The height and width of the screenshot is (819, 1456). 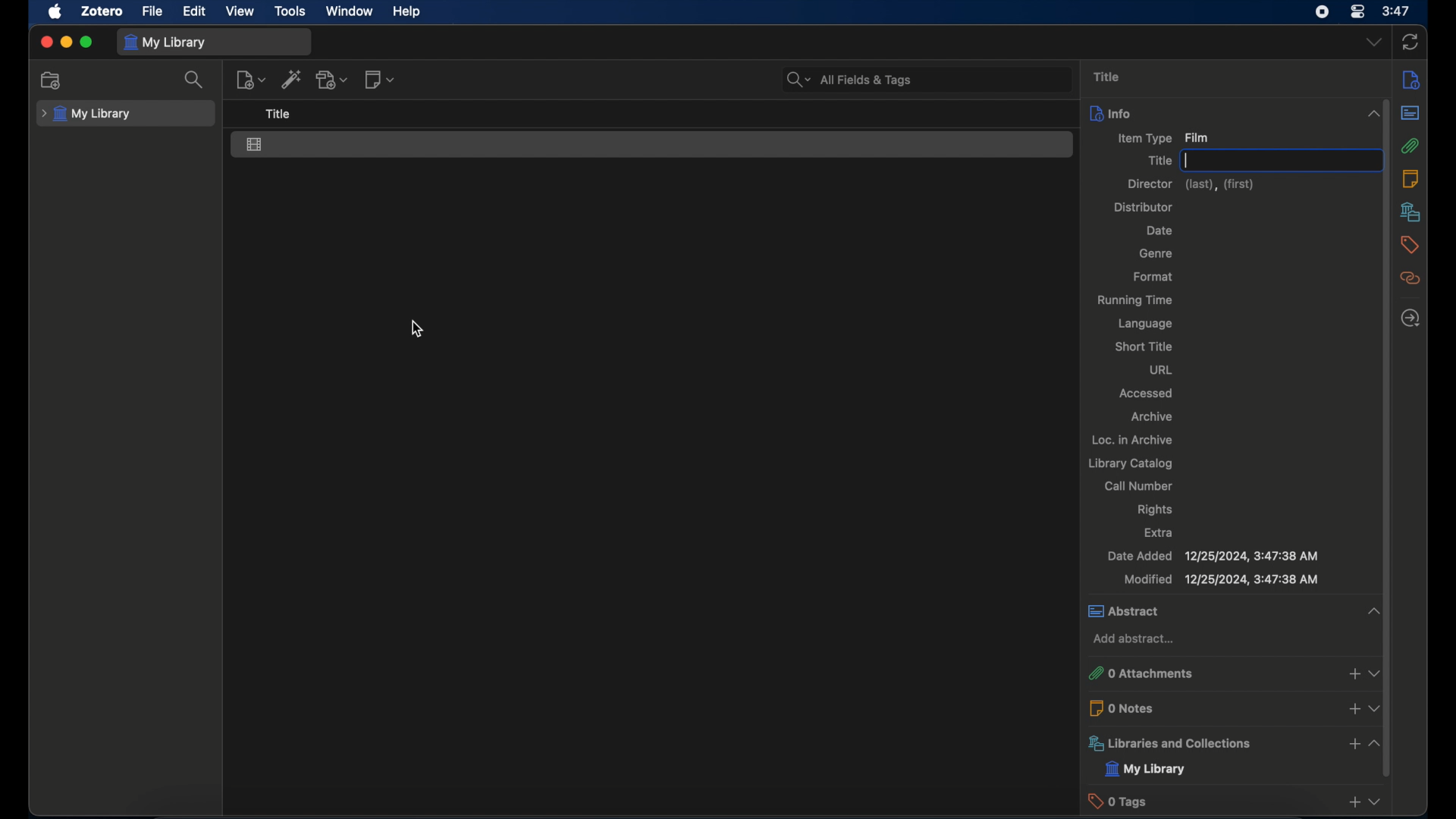 I want to click on abstract, so click(x=1411, y=113).